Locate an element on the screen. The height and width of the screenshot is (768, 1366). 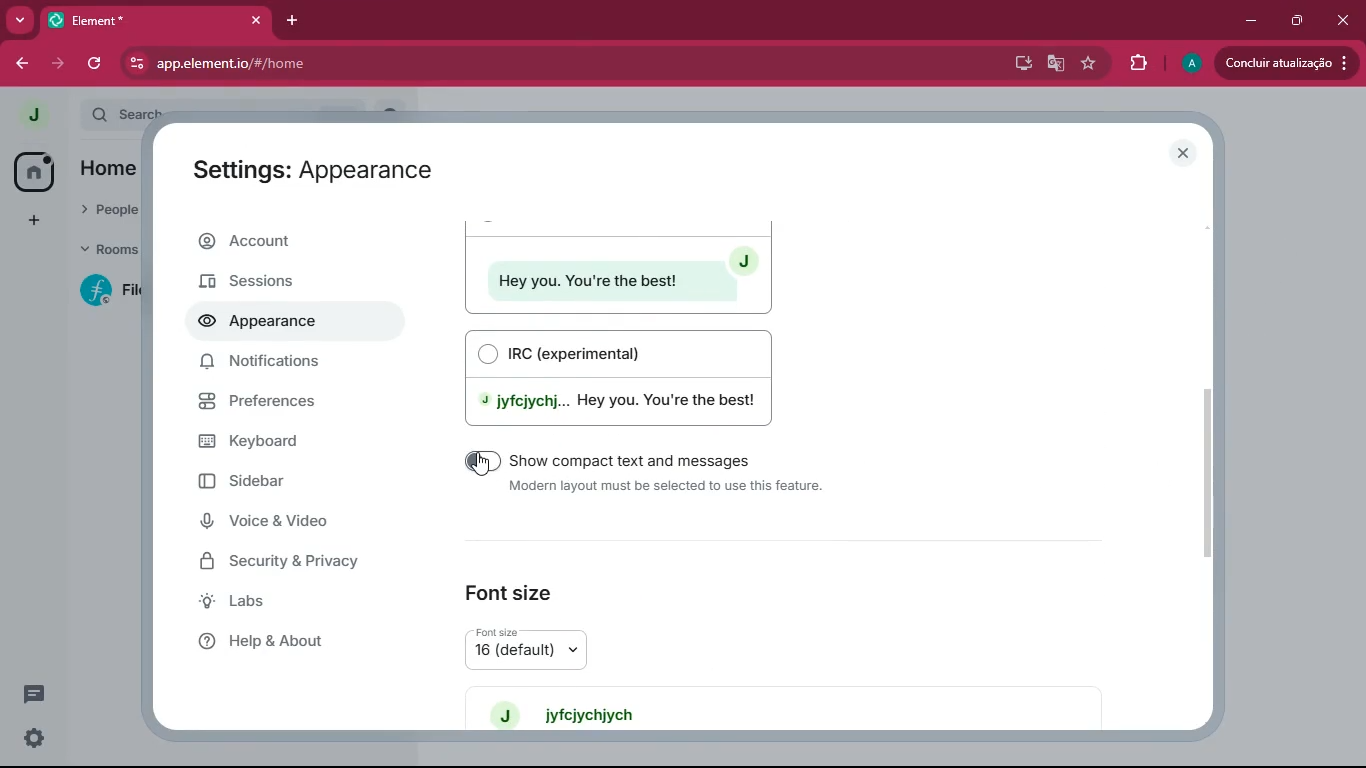
favourite  is located at coordinates (1088, 64).